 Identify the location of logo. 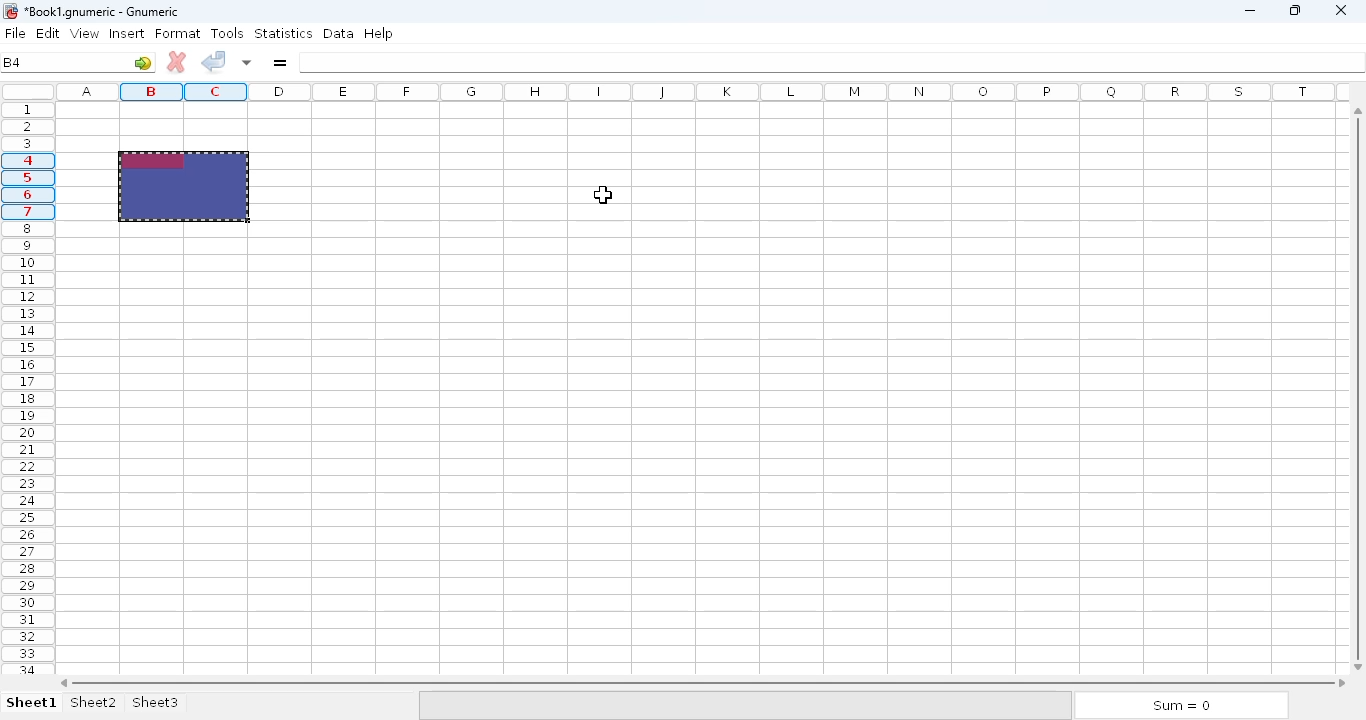
(10, 12).